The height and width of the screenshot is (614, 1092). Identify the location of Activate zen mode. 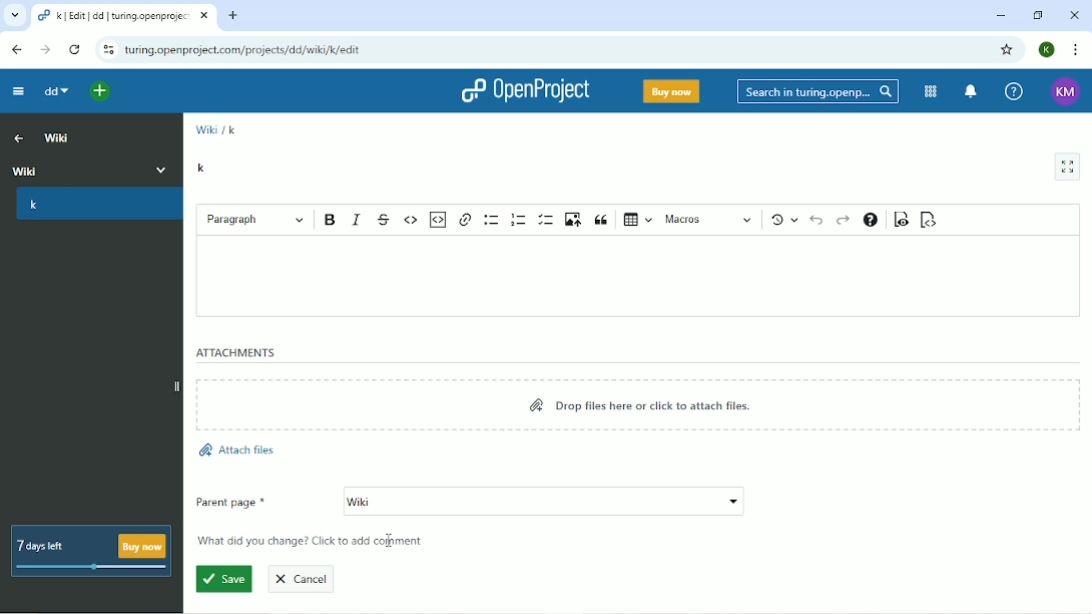
(1068, 167).